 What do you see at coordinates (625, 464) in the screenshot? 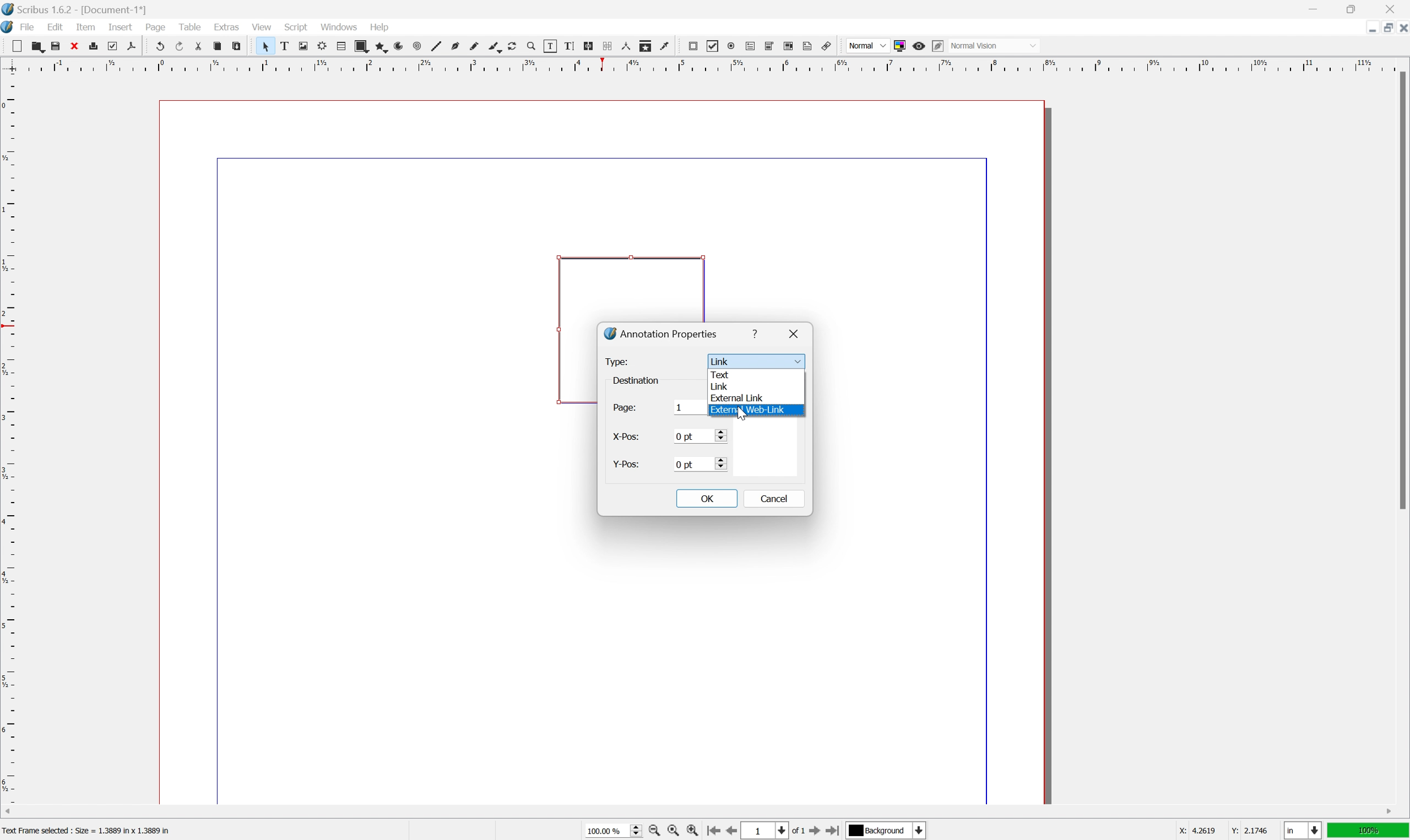
I see `Y-pos:` at bounding box center [625, 464].